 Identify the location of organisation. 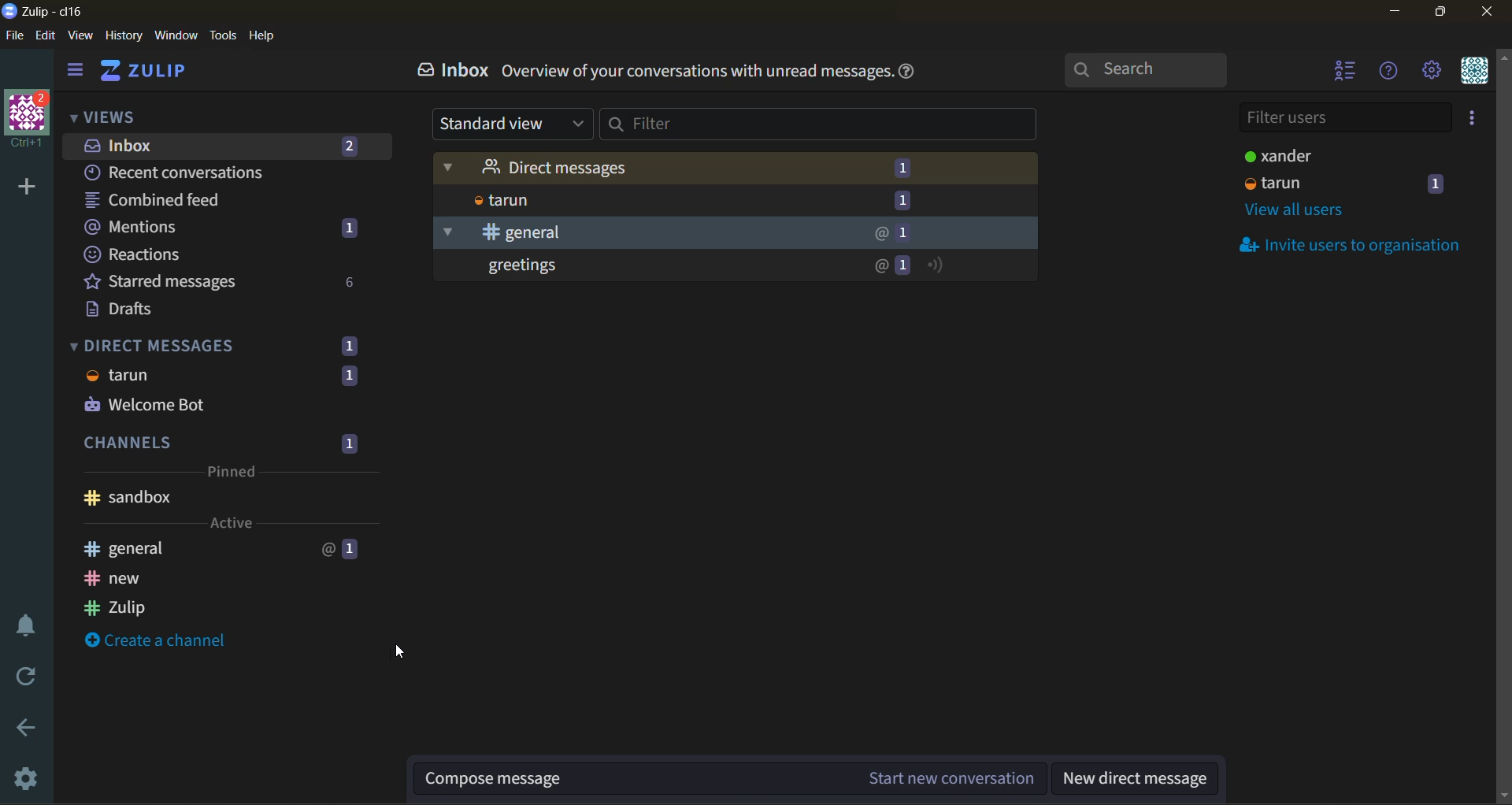
(28, 121).